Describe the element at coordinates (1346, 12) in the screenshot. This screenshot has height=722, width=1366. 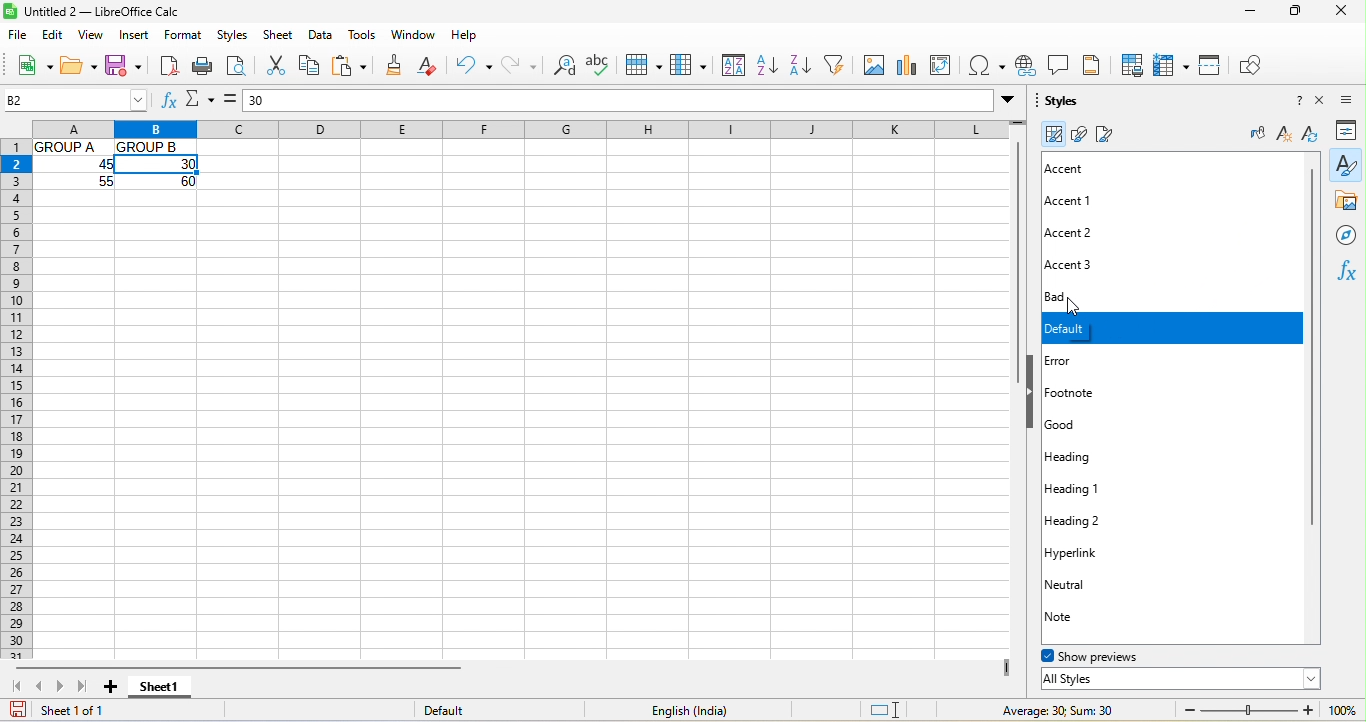
I see `close` at that location.